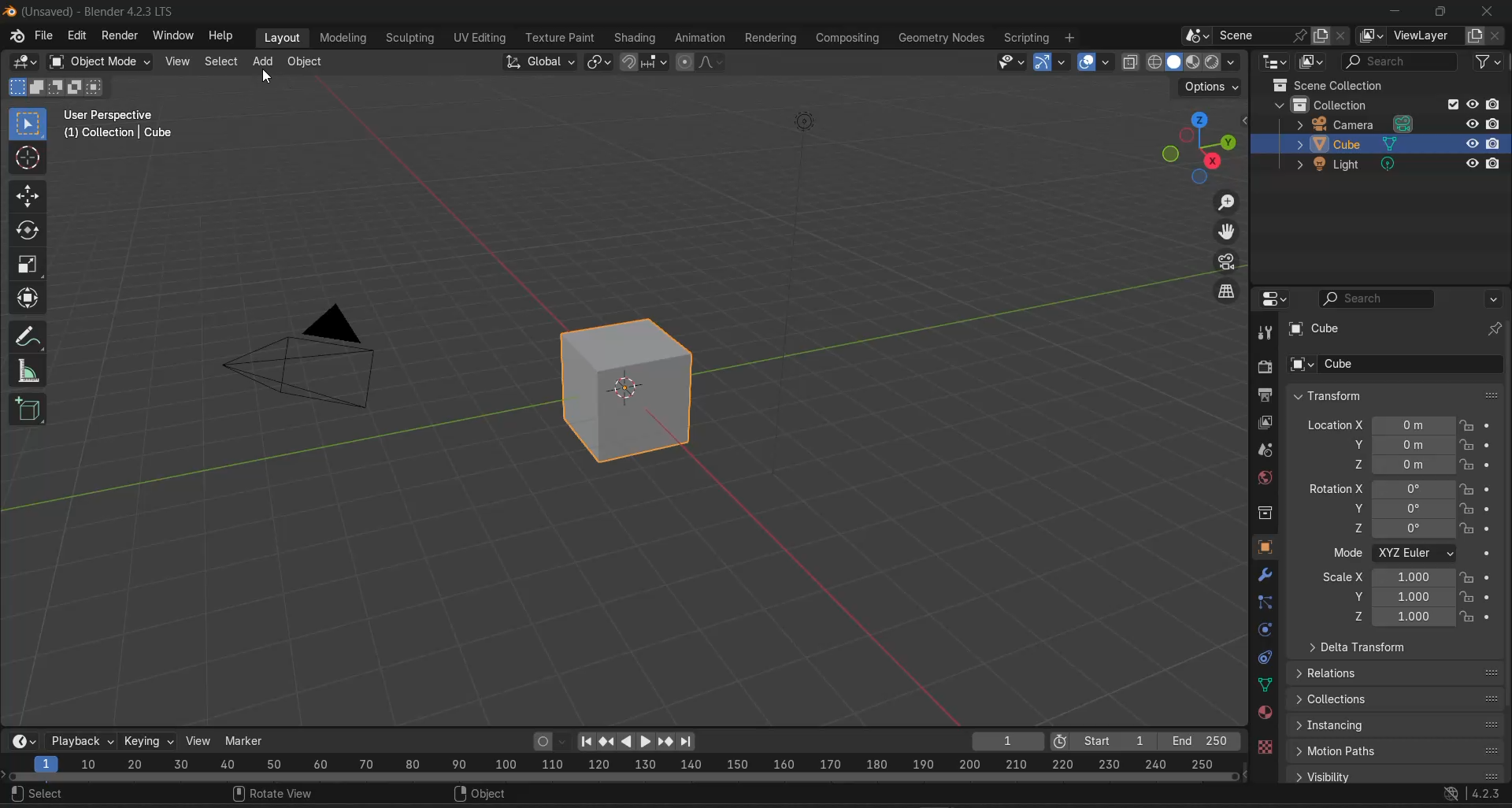  What do you see at coordinates (1403, 444) in the screenshot?
I see `location y` at bounding box center [1403, 444].